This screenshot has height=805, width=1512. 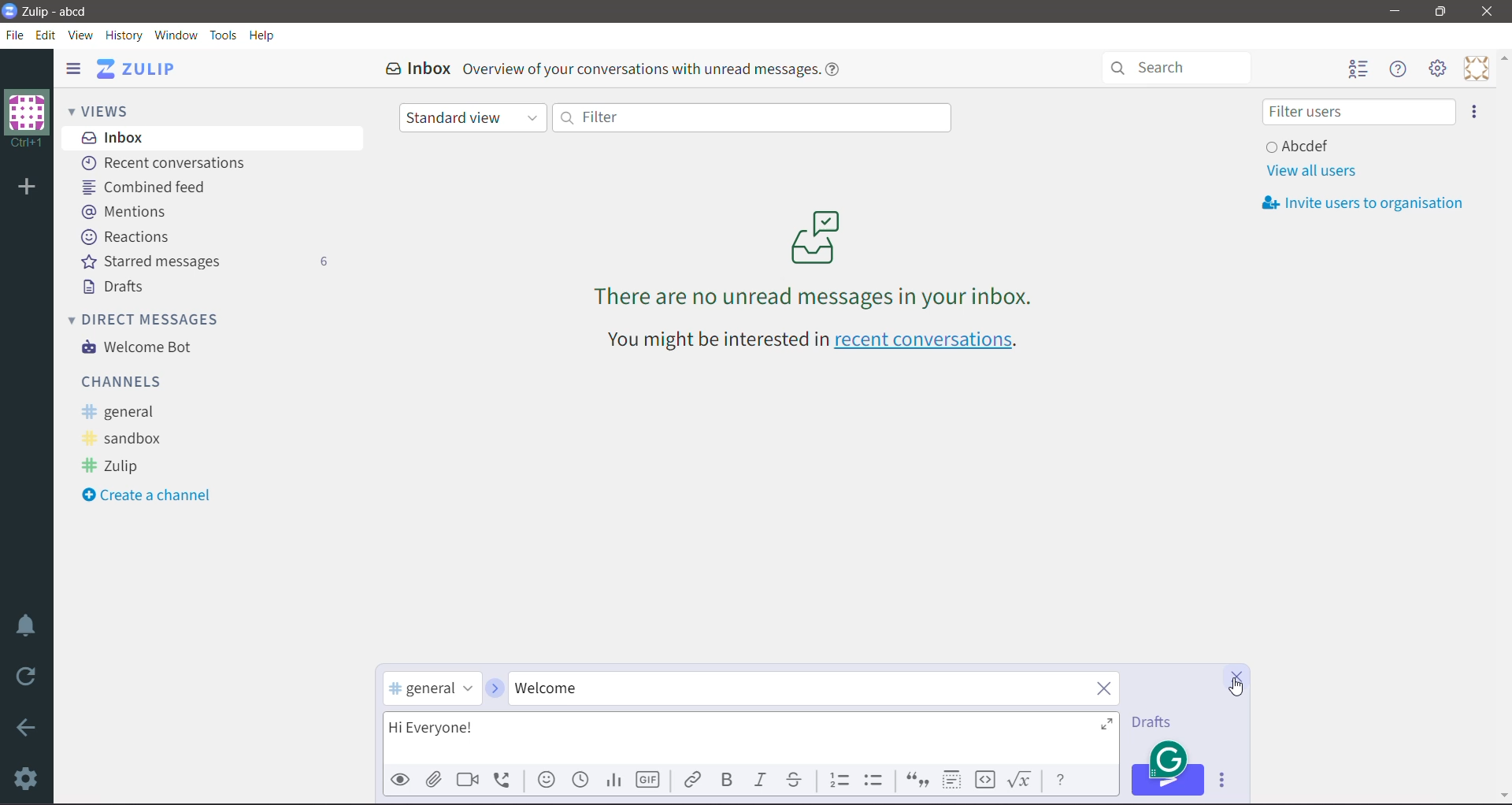 What do you see at coordinates (547, 780) in the screenshot?
I see `Add emoji` at bounding box center [547, 780].